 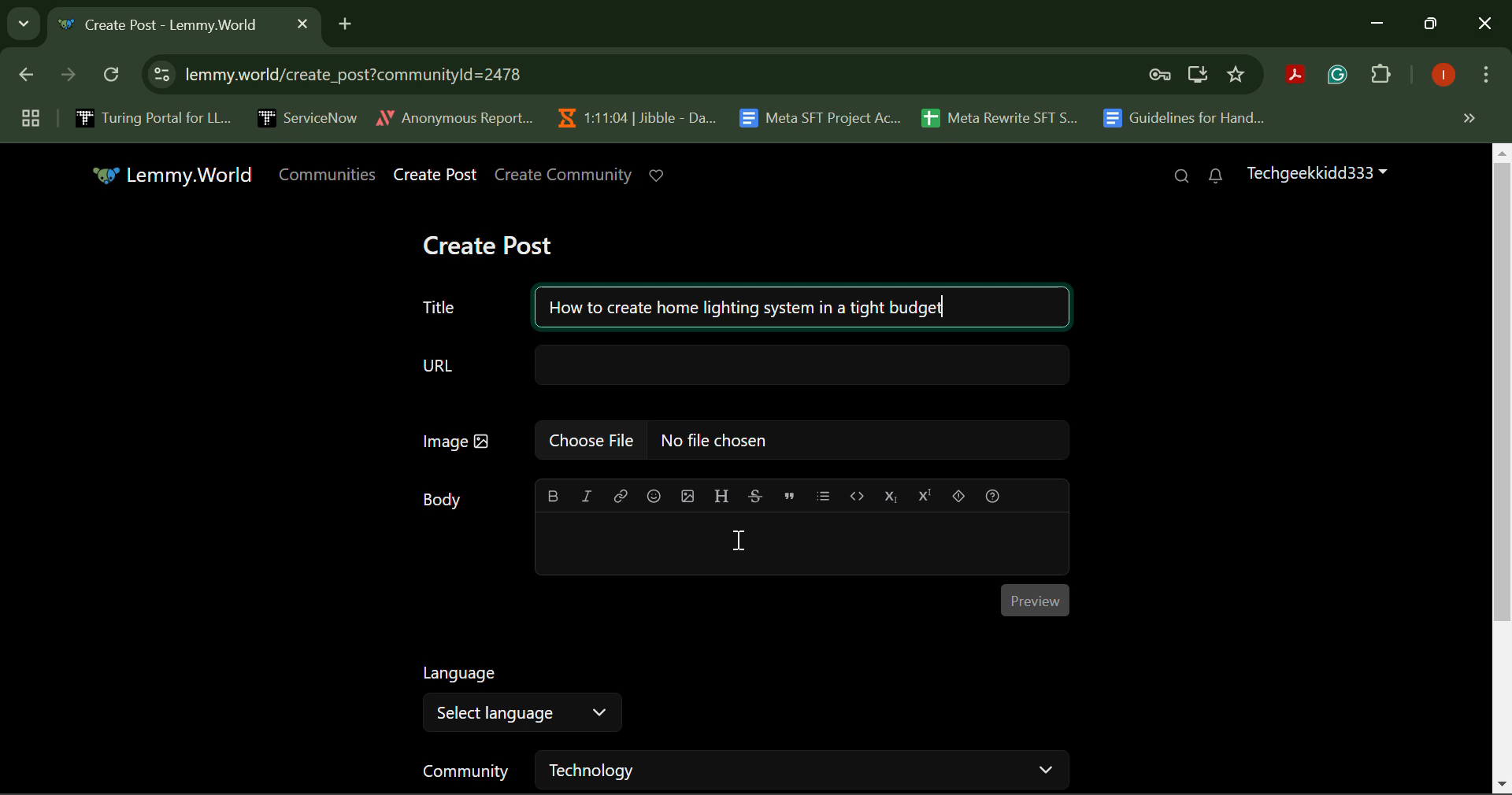 What do you see at coordinates (1162, 75) in the screenshot?
I see `Verify Security ` at bounding box center [1162, 75].